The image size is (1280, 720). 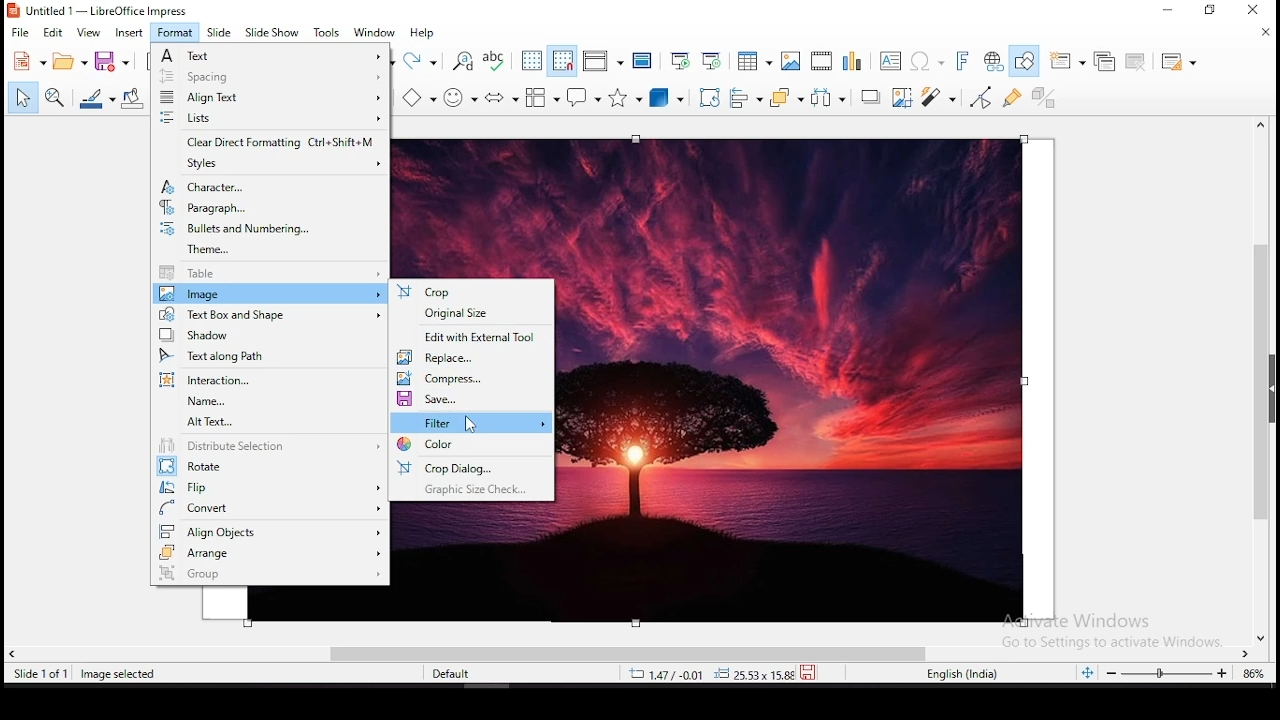 I want to click on format, so click(x=175, y=32).